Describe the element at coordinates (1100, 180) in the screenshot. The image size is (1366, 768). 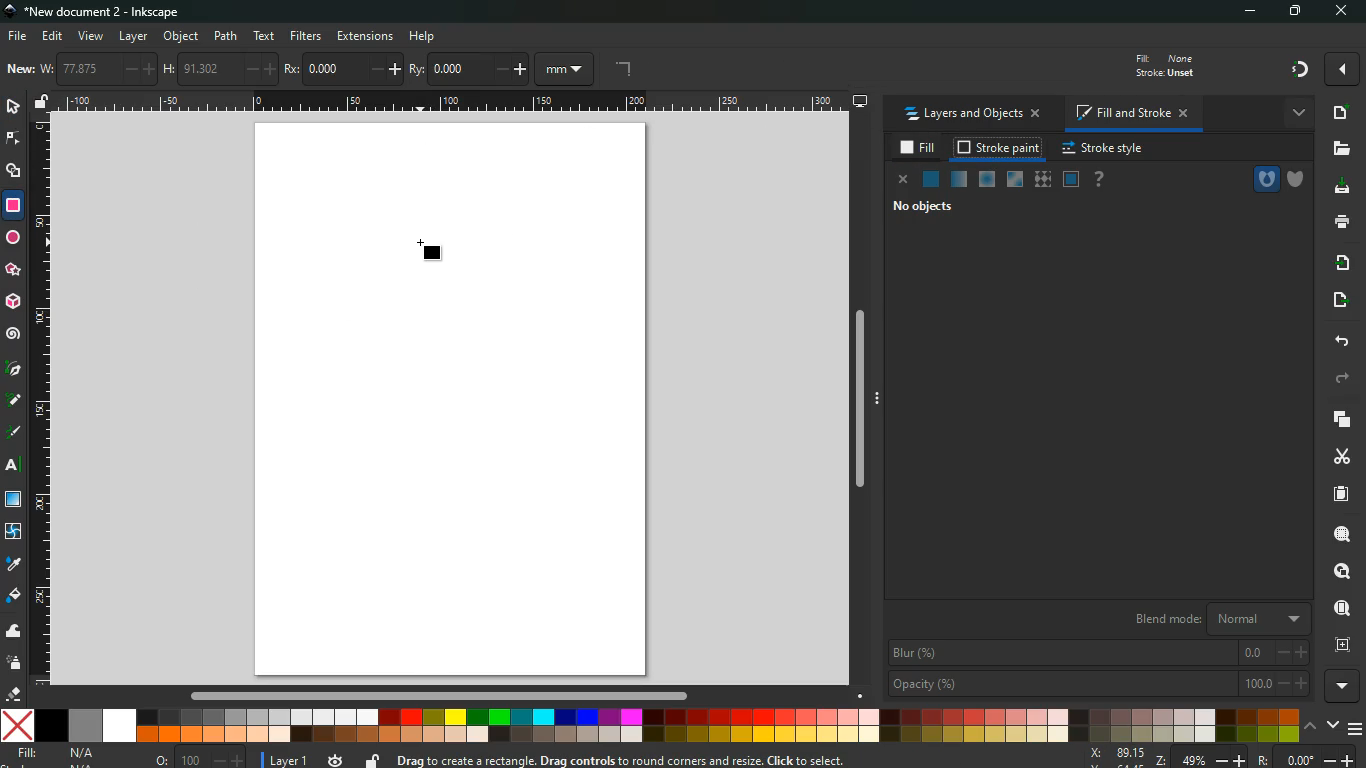
I see `help` at that location.